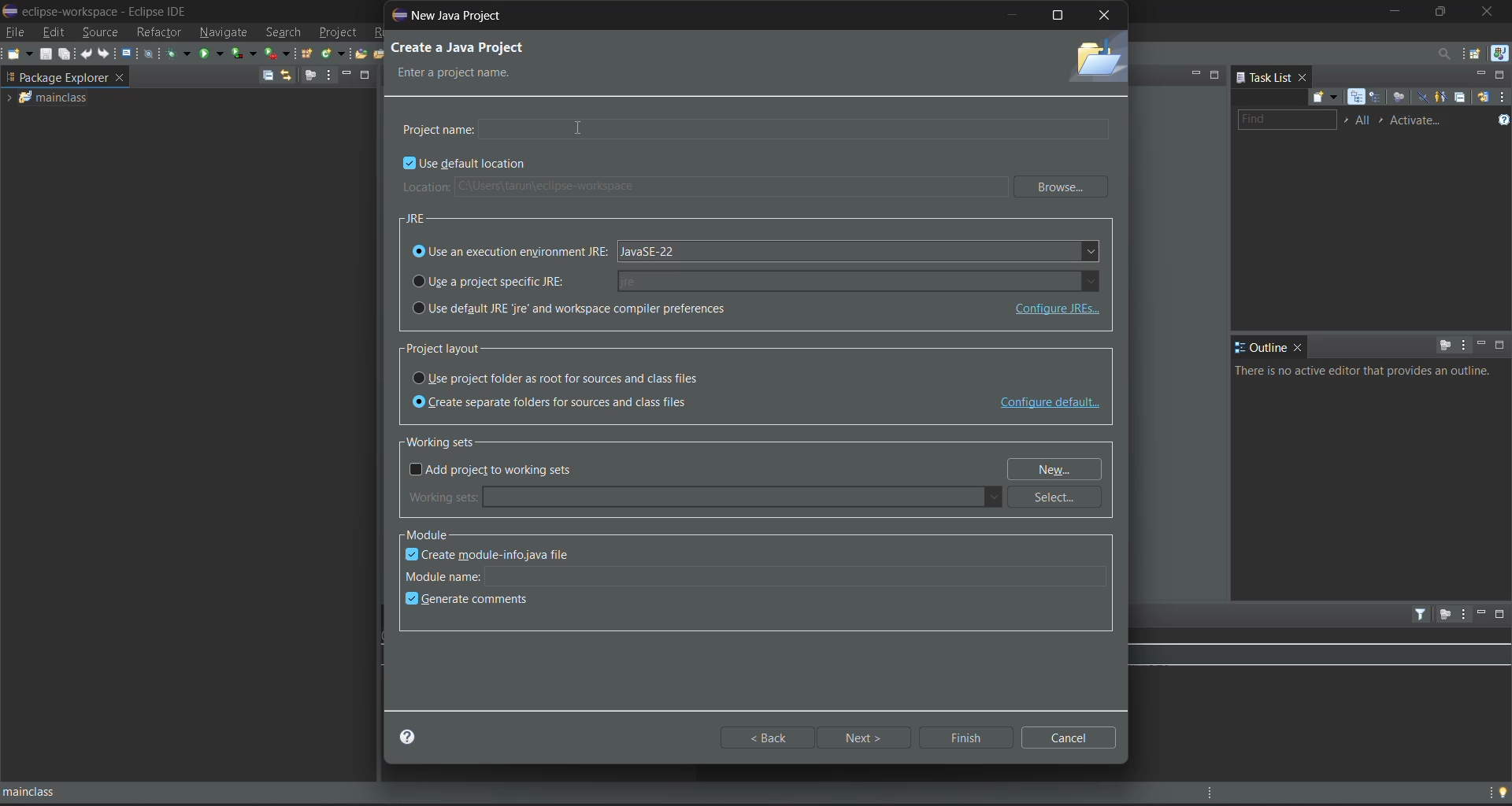 Image resolution: width=1512 pixels, height=806 pixels. I want to click on save all, so click(68, 55).